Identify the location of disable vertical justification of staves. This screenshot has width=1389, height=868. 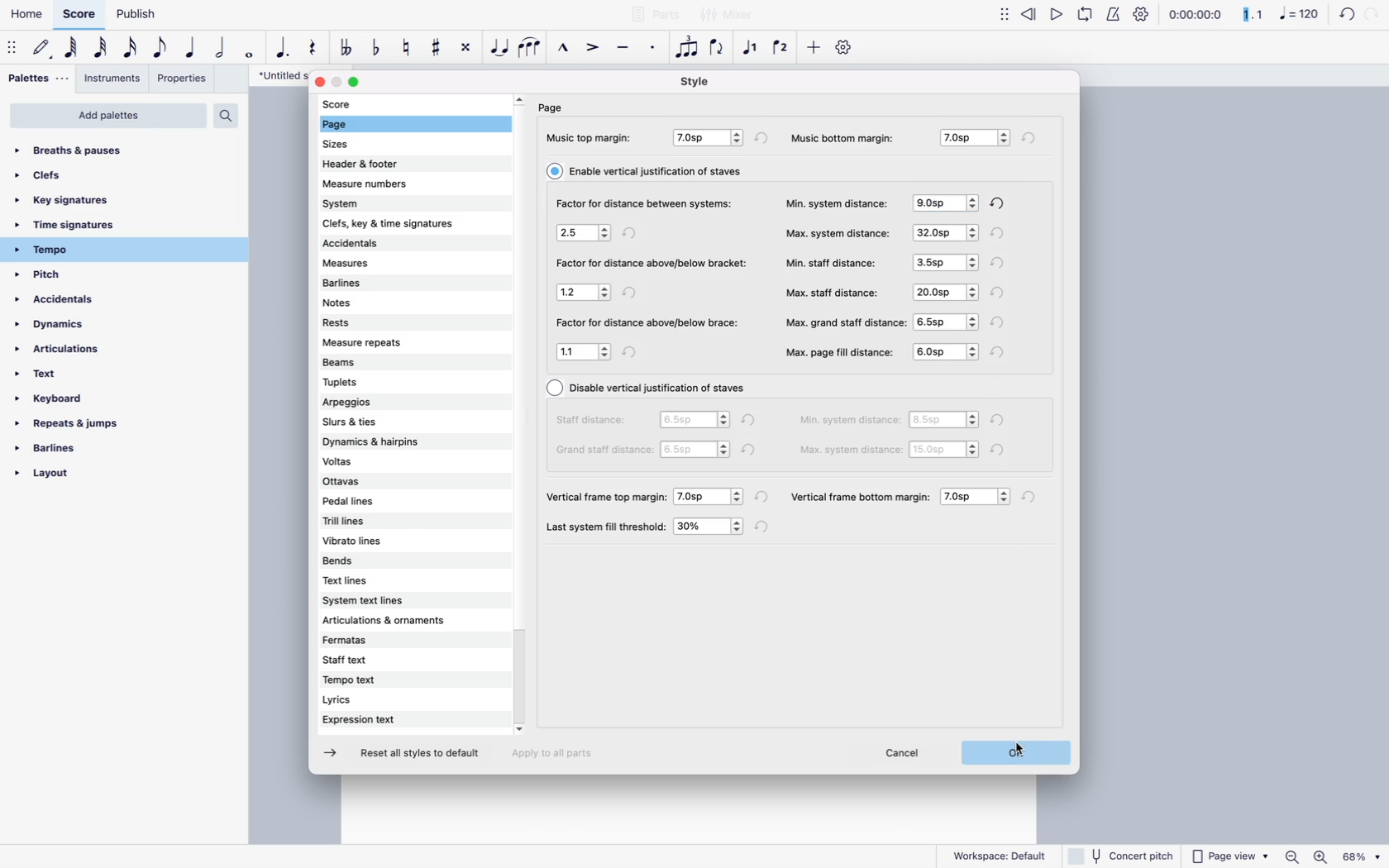
(649, 389).